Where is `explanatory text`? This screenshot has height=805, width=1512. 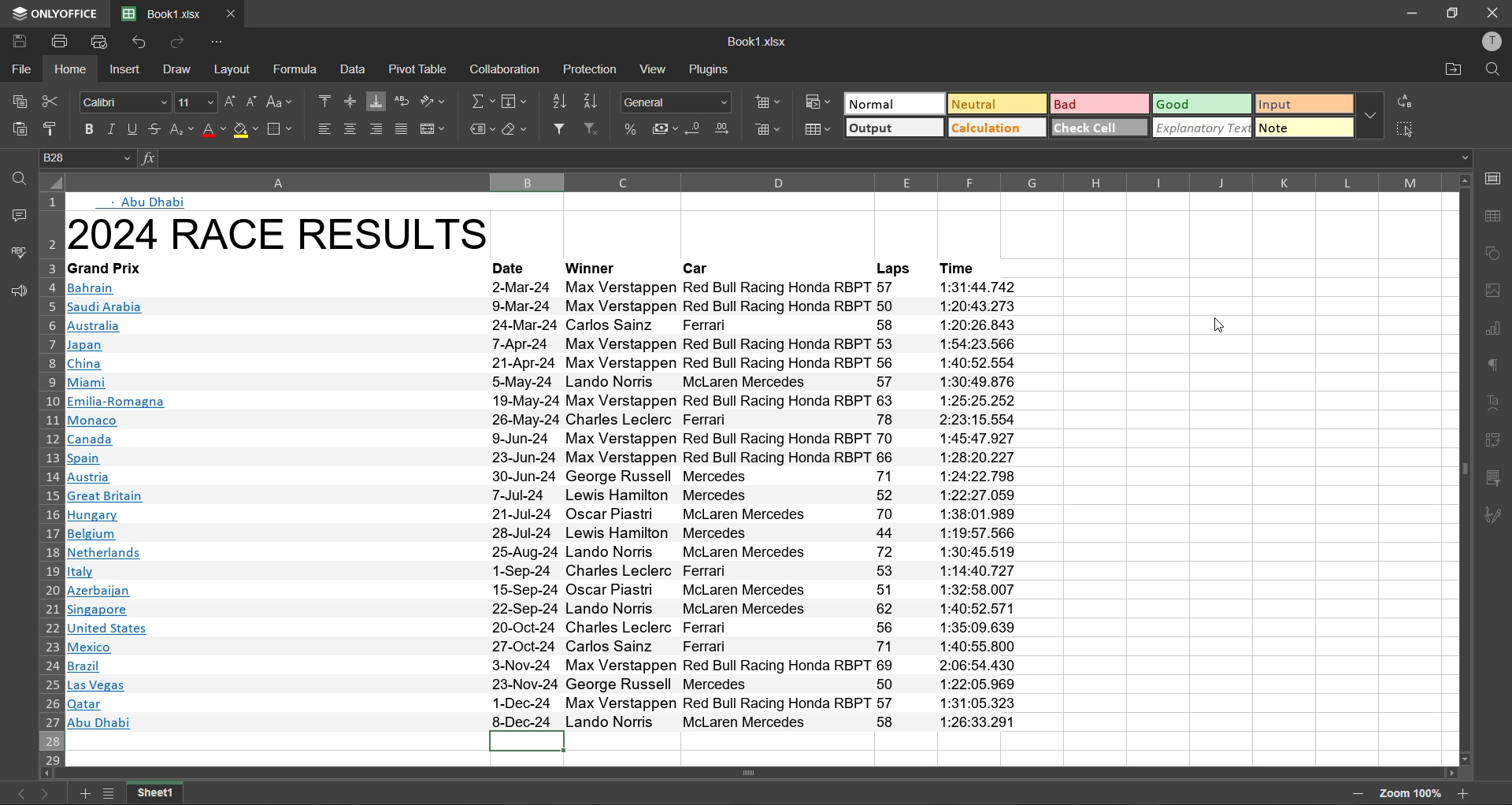 explanatory text is located at coordinates (1203, 128).